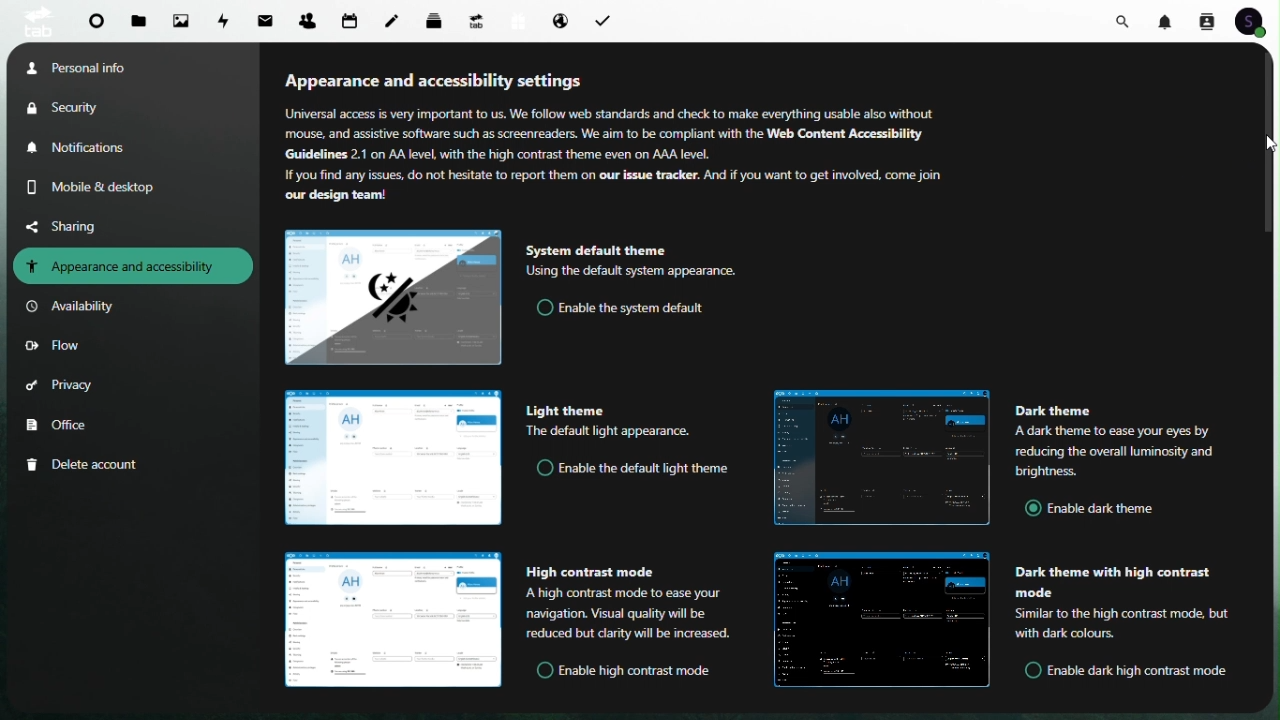 This screenshot has width=1280, height=720. Describe the element at coordinates (340, 195) in the screenshot. I see `our design team!` at that location.